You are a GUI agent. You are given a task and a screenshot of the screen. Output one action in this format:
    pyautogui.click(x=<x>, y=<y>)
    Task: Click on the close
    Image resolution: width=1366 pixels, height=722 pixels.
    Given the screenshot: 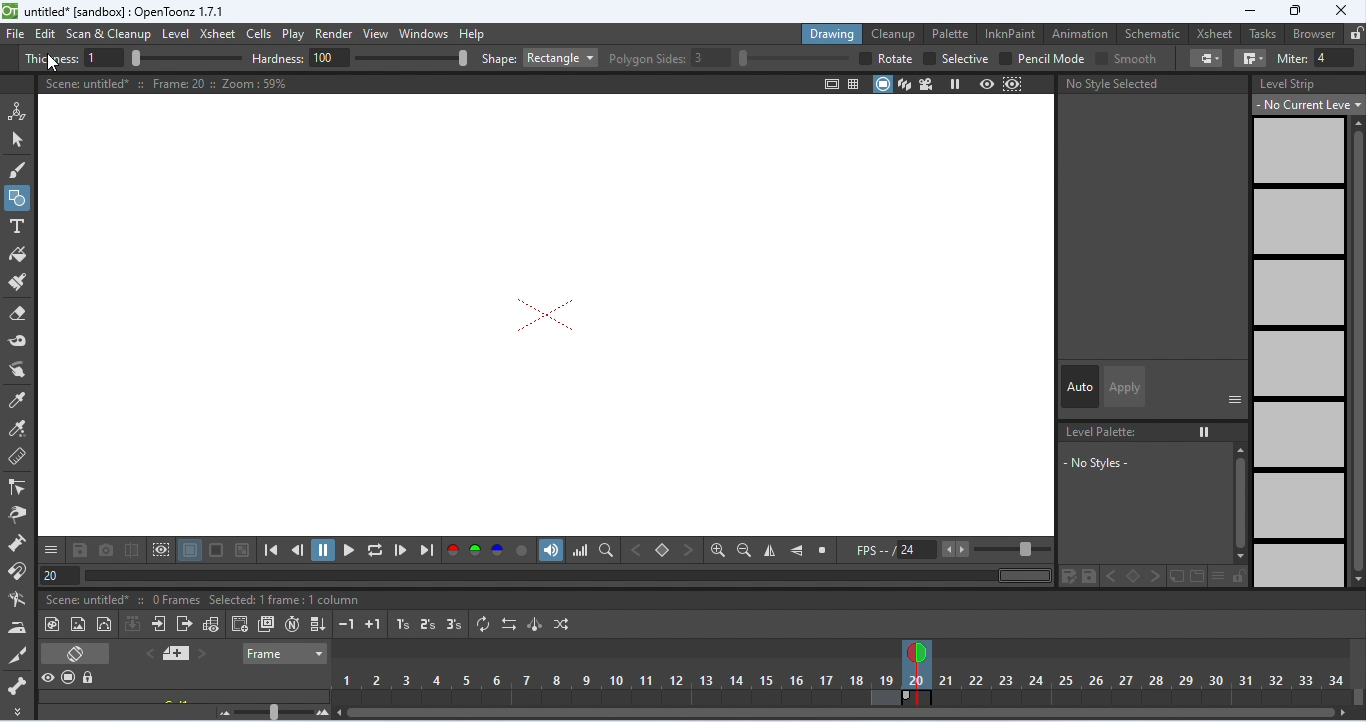 What is the action you would take?
    pyautogui.click(x=1340, y=10)
    